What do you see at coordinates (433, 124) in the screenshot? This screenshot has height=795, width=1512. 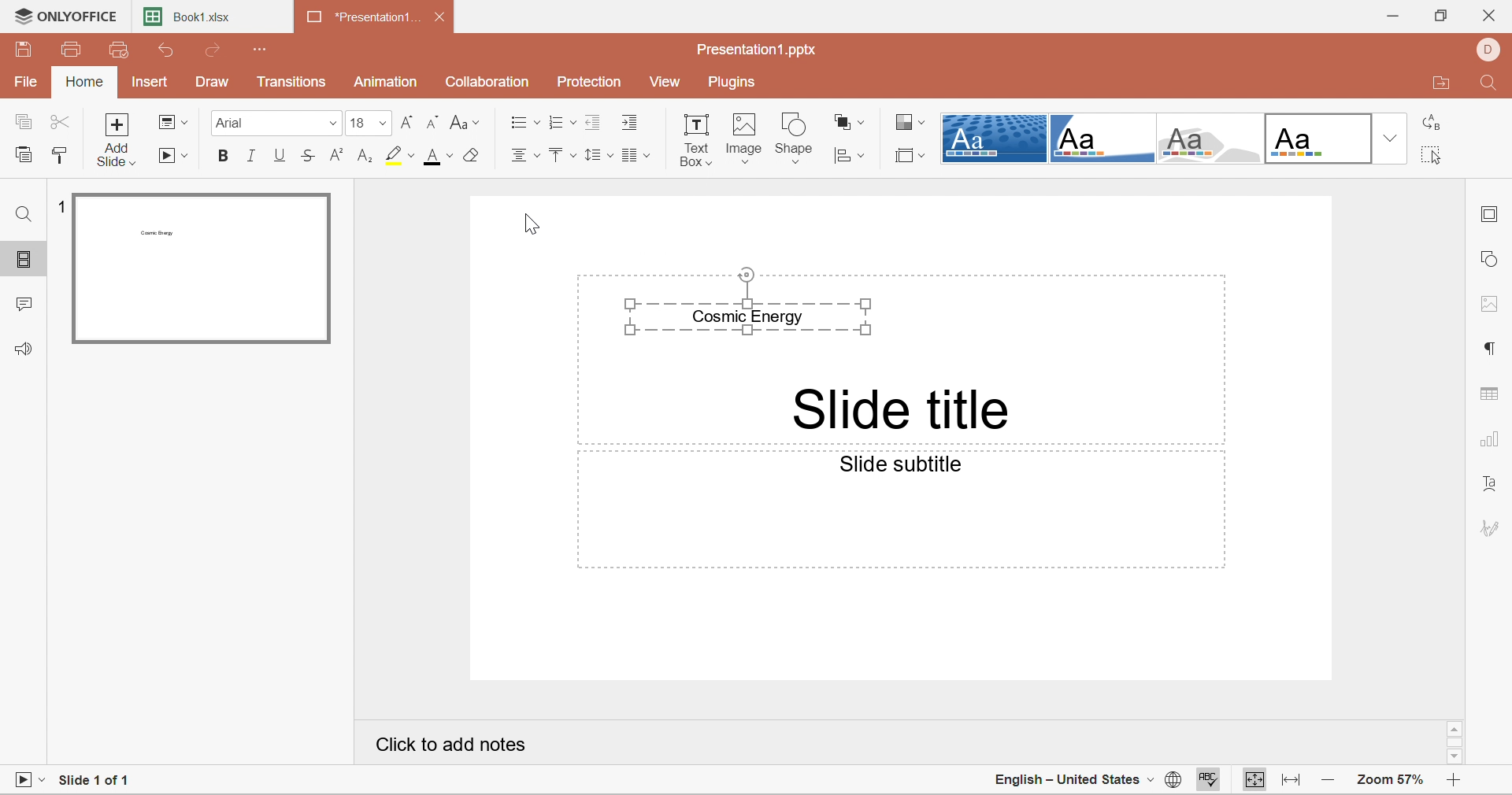 I see `Decrement font size` at bounding box center [433, 124].